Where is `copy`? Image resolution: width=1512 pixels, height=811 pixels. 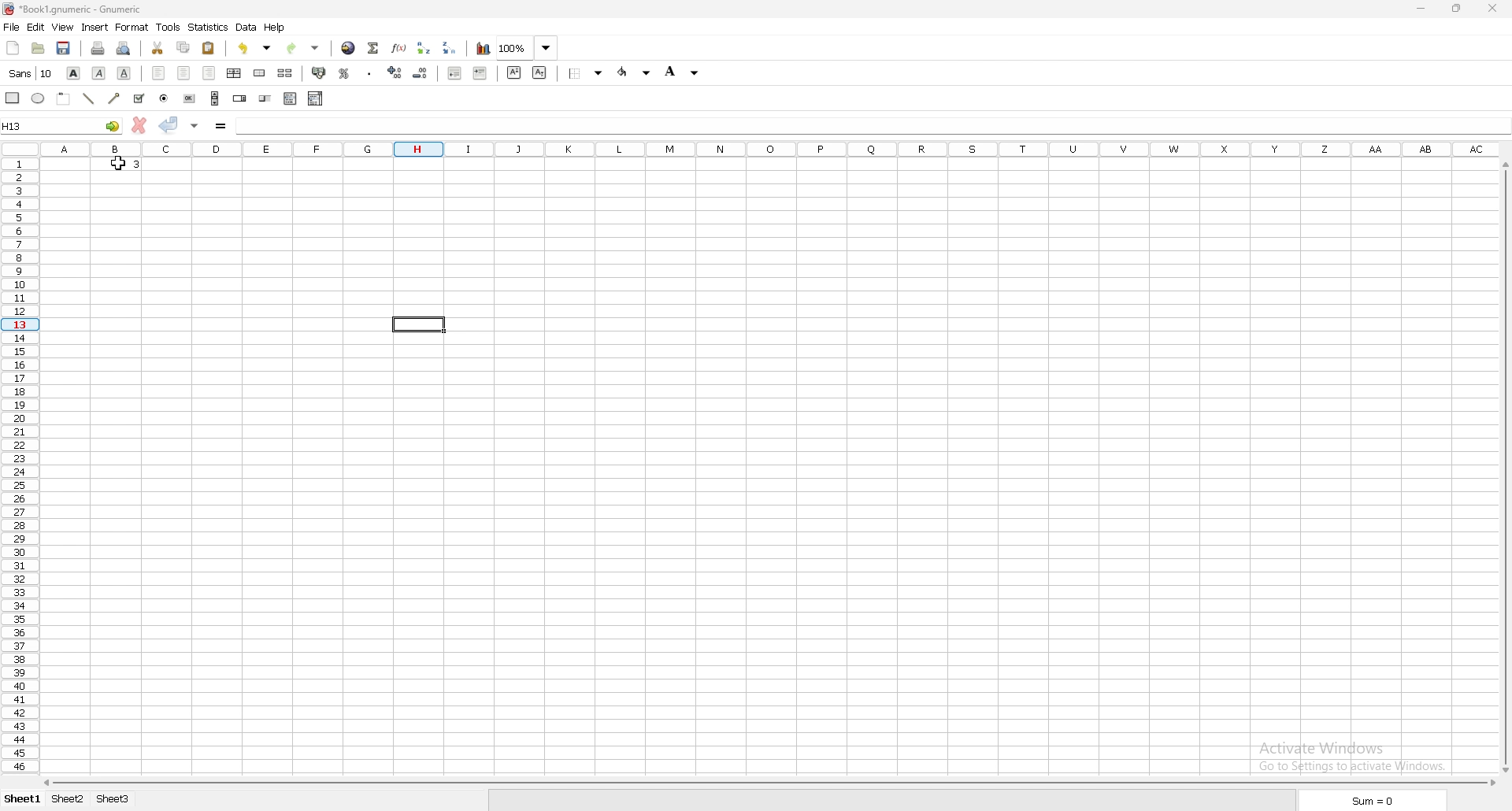 copy is located at coordinates (183, 47).